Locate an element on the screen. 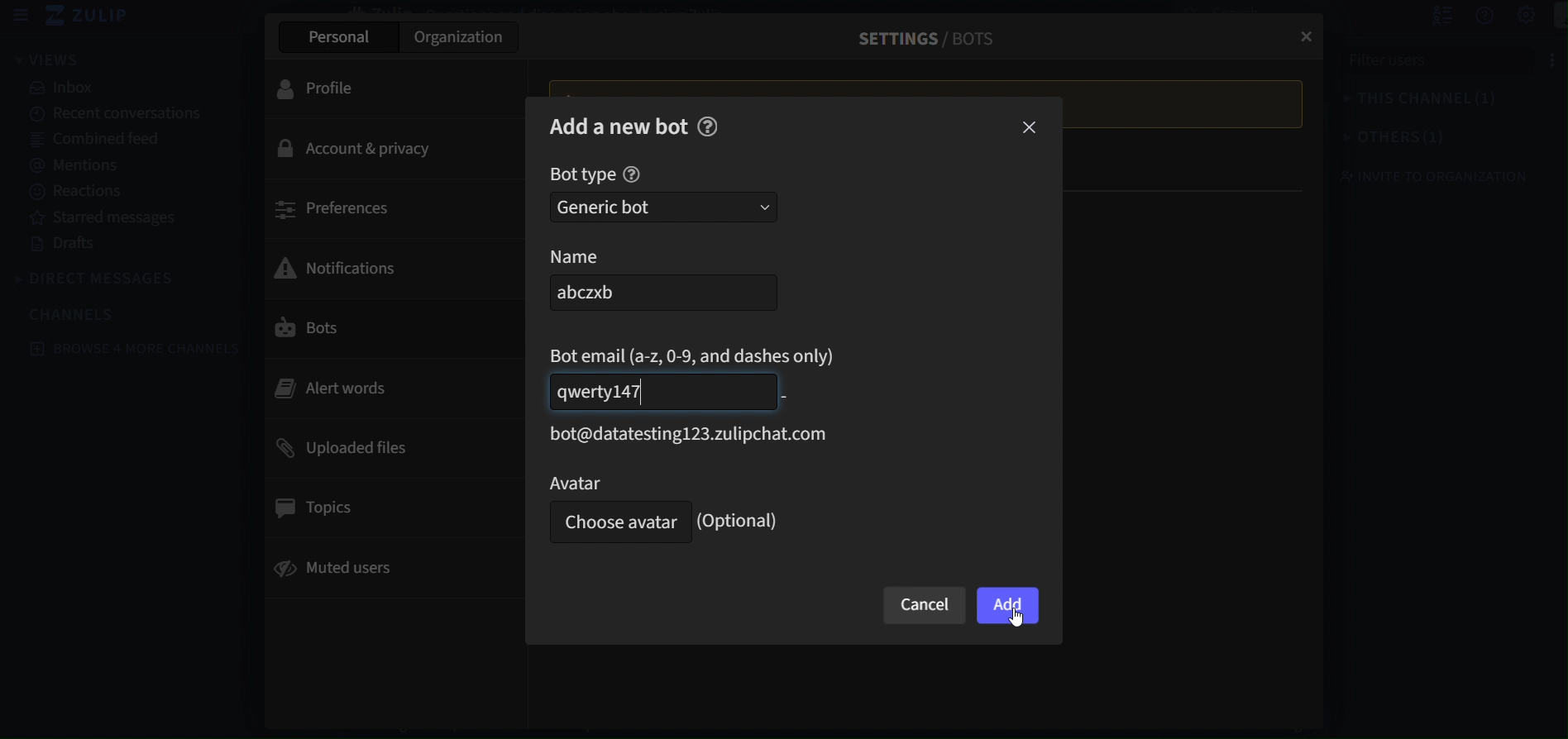 The height and width of the screenshot is (739, 1568). reactions is located at coordinates (113, 191).